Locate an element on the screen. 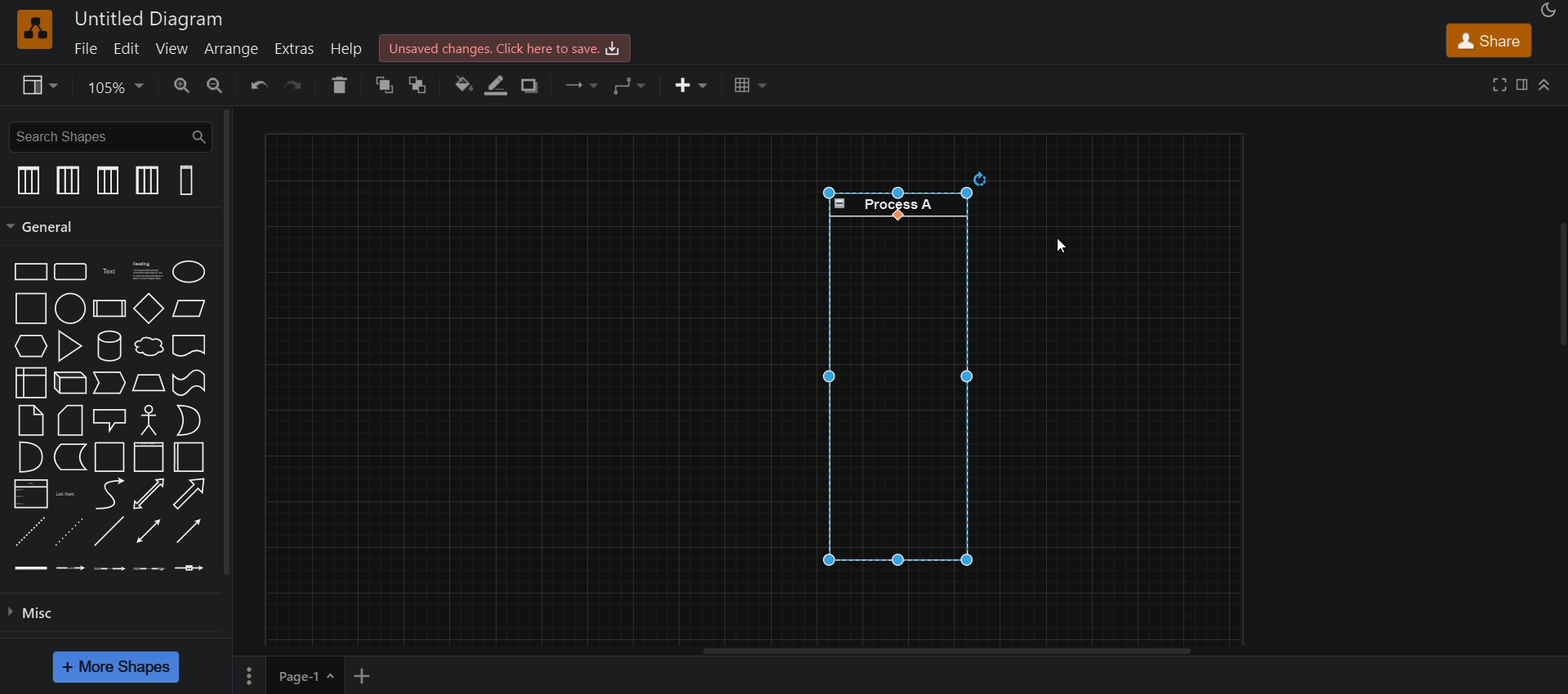  process is located at coordinates (110, 309).